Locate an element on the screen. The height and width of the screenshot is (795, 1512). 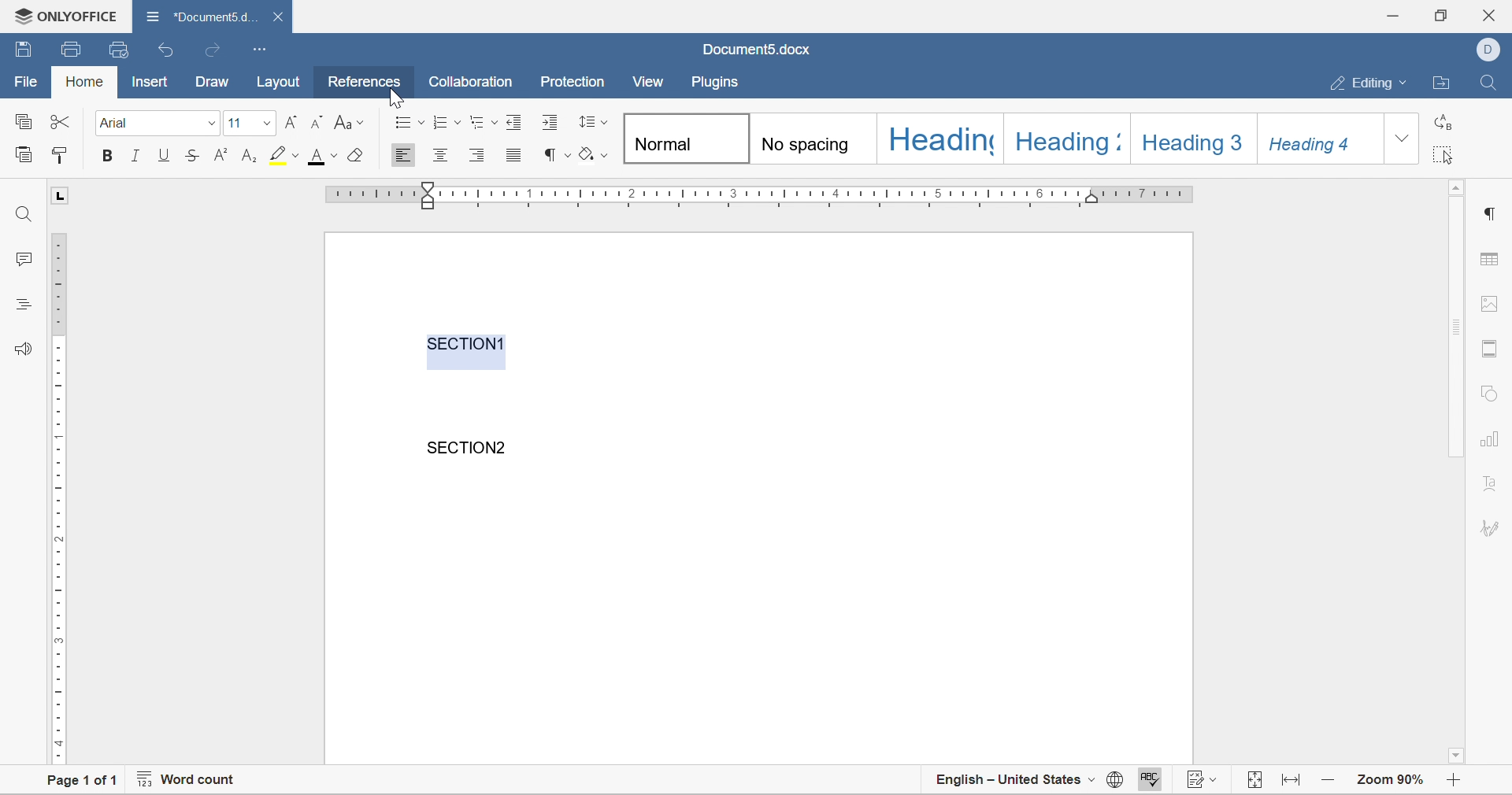
collaboration is located at coordinates (473, 82).